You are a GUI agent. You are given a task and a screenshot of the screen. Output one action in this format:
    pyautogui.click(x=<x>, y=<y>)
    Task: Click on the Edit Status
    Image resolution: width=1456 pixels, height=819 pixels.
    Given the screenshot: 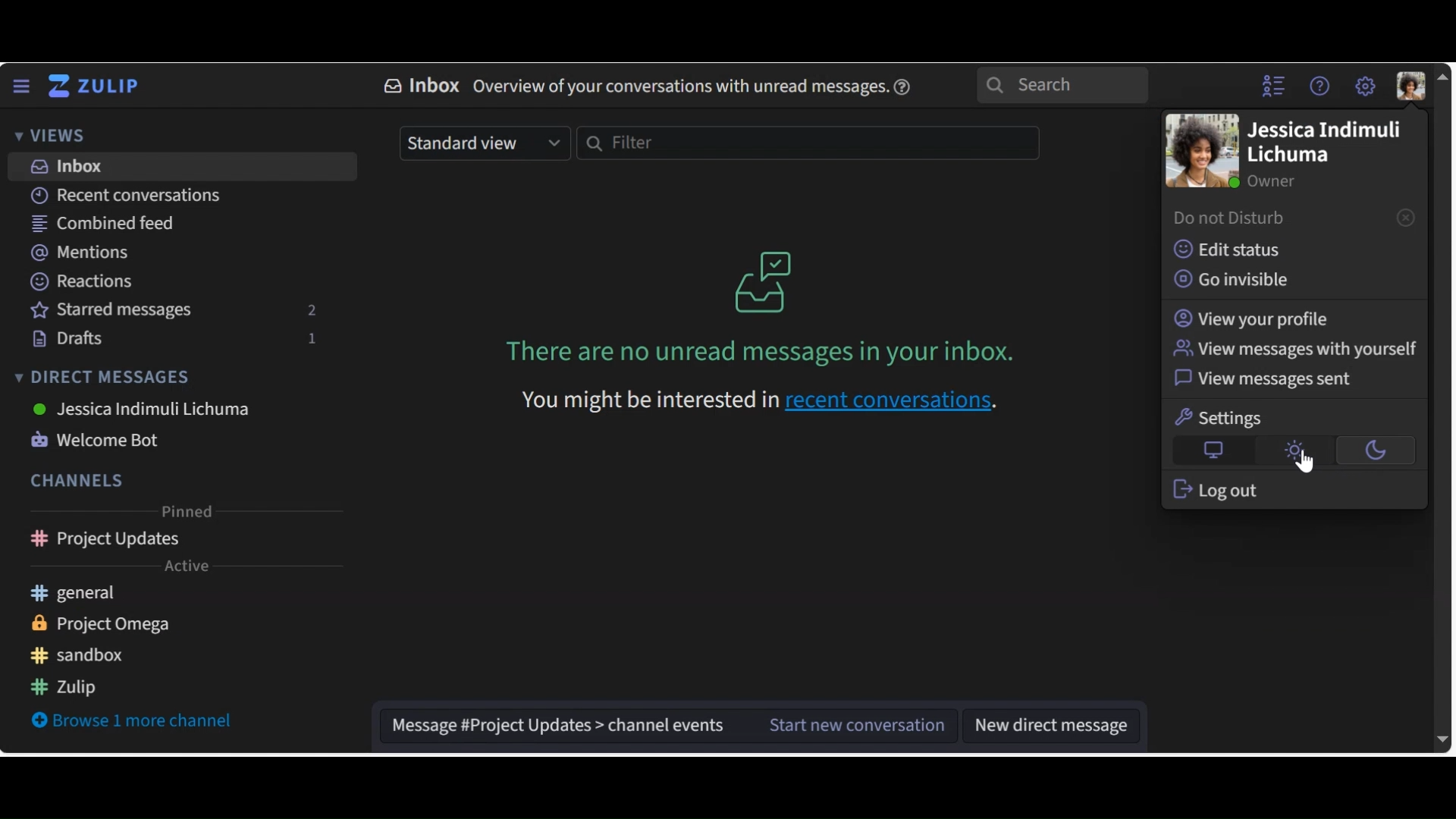 What is the action you would take?
    pyautogui.click(x=1228, y=248)
    